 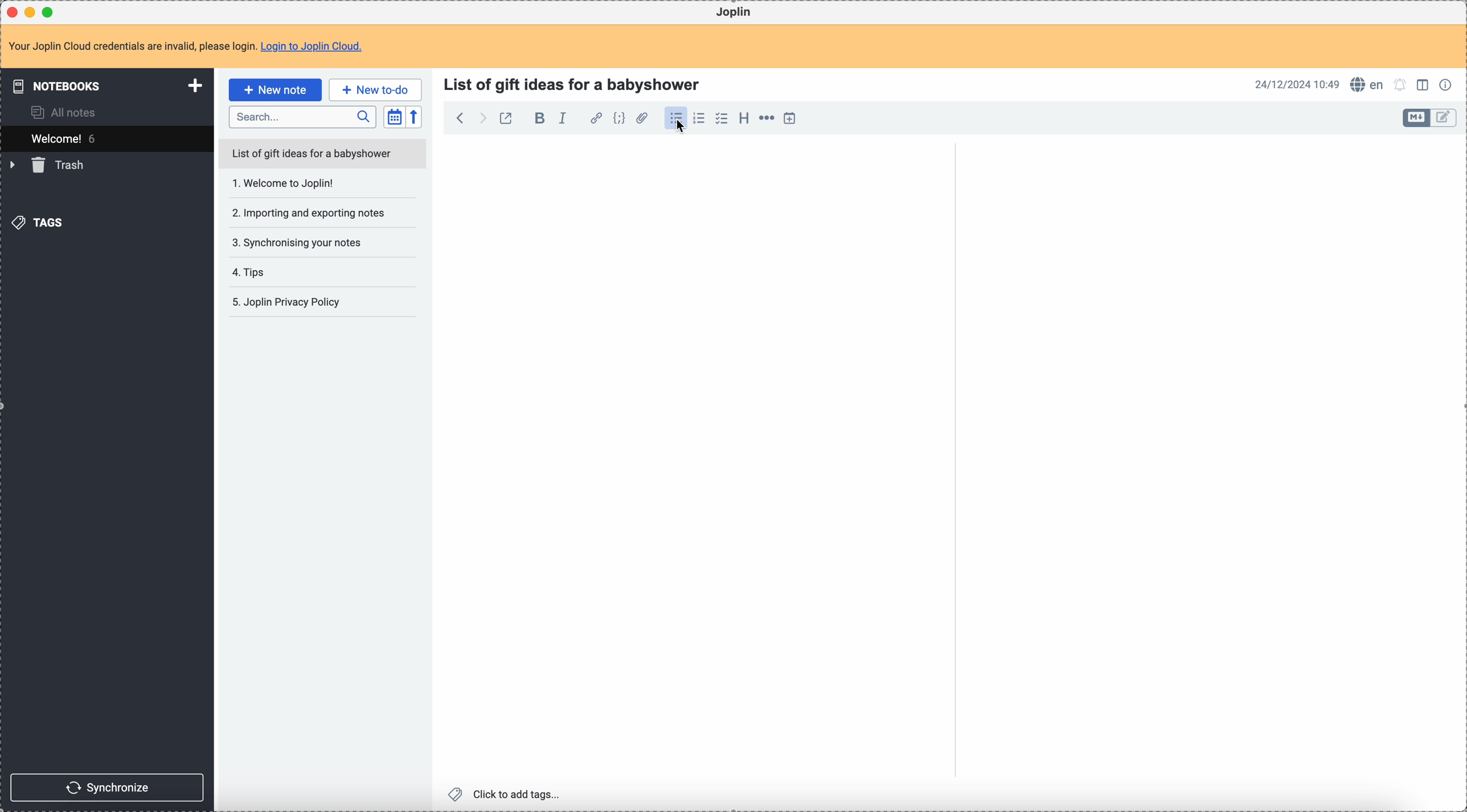 I want to click on toggle edit layout, so click(x=1425, y=87).